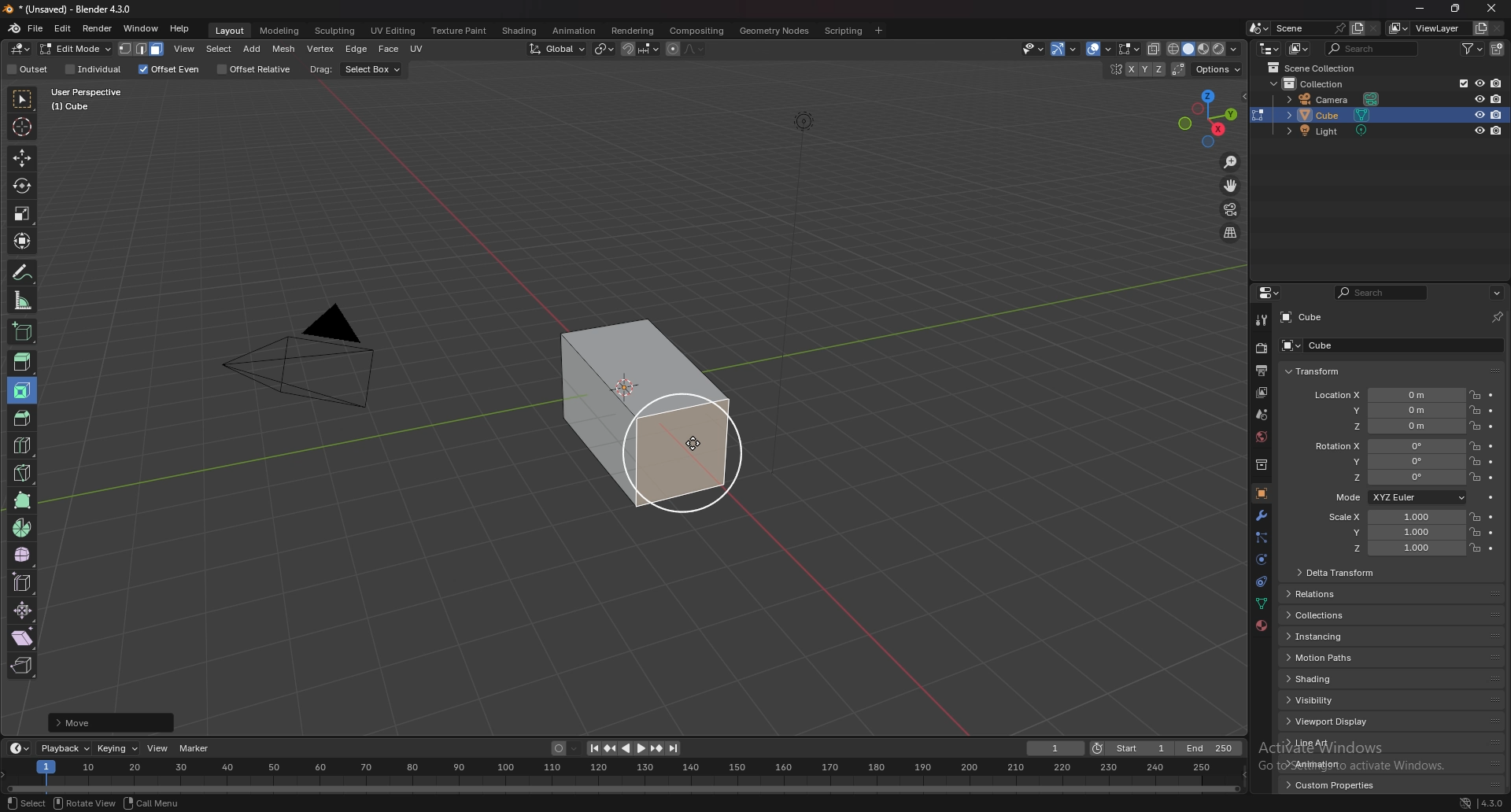  What do you see at coordinates (1332, 131) in the screenshot?
I see `light` at bounding box center [1332, 131].